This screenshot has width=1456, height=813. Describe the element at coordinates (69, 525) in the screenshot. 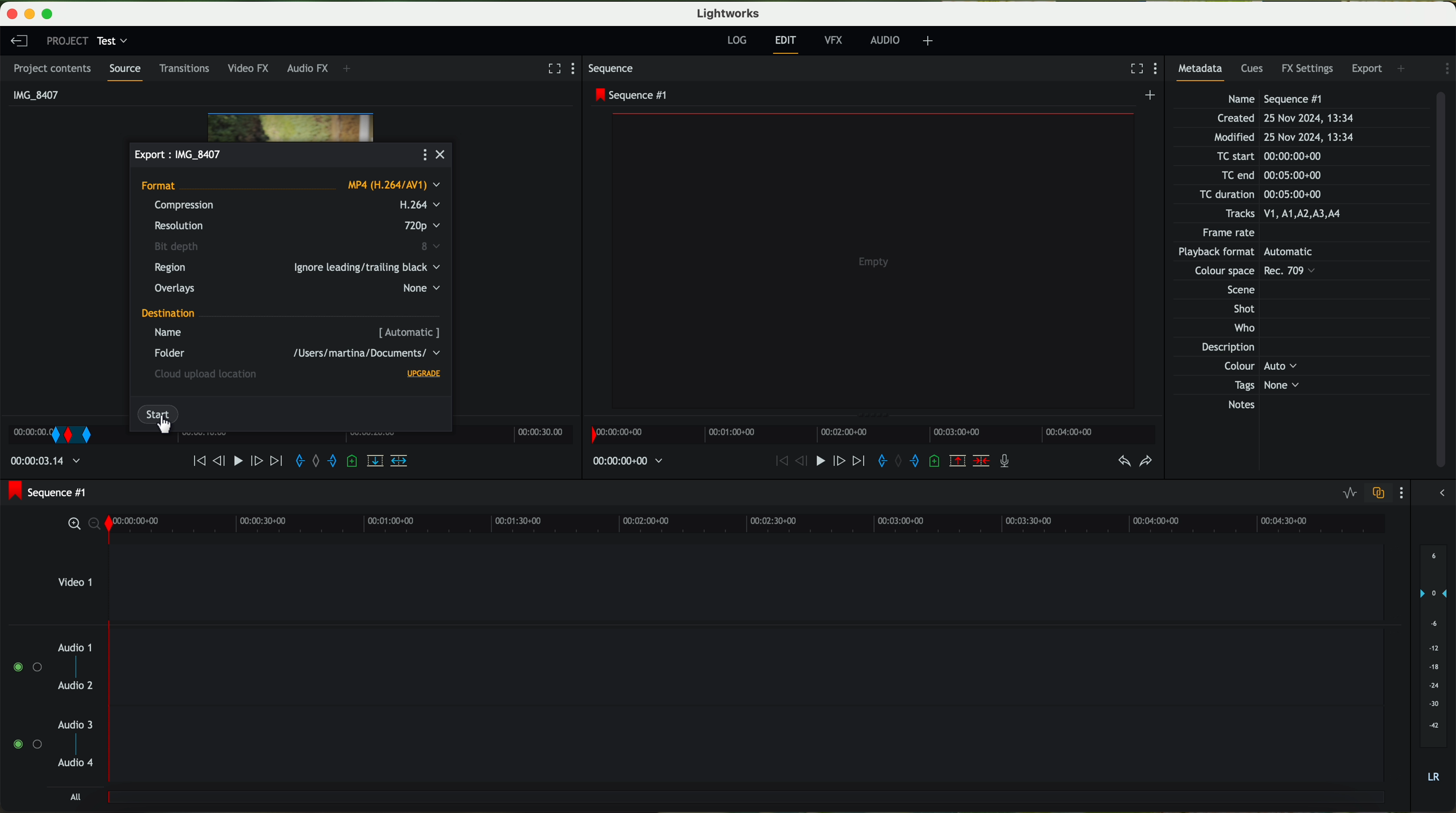

I see `zoom in` at that location.